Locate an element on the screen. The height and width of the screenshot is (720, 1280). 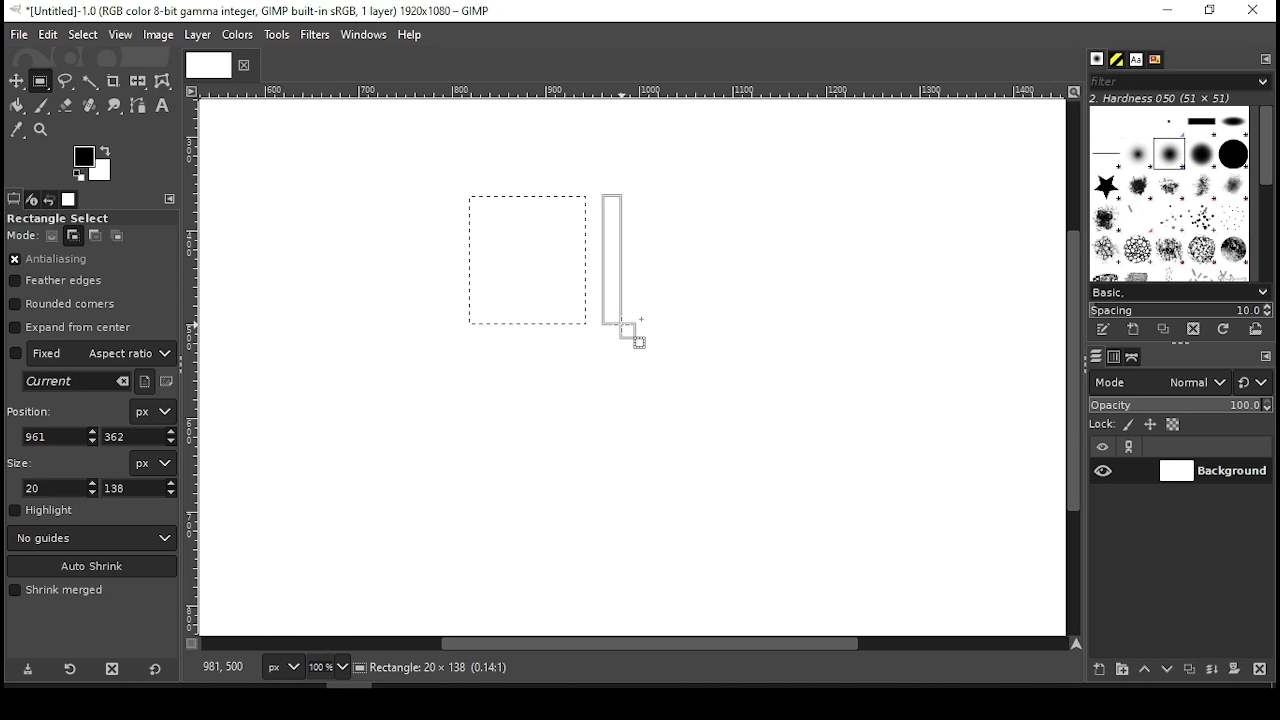
zoom level is located at coordinates (328, 669).